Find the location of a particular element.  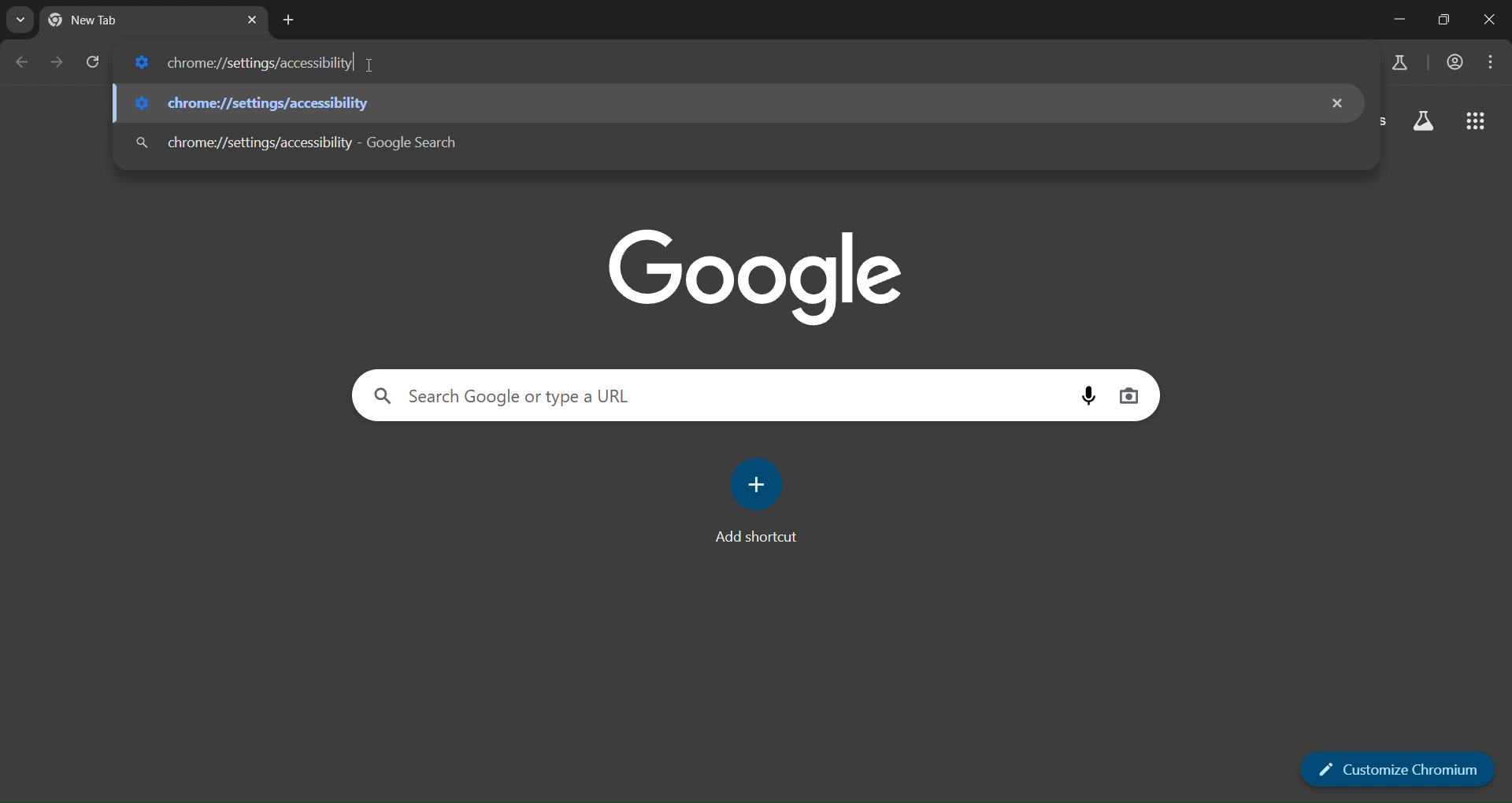

Search Google or type a URL is located at coordinates (687, 392).